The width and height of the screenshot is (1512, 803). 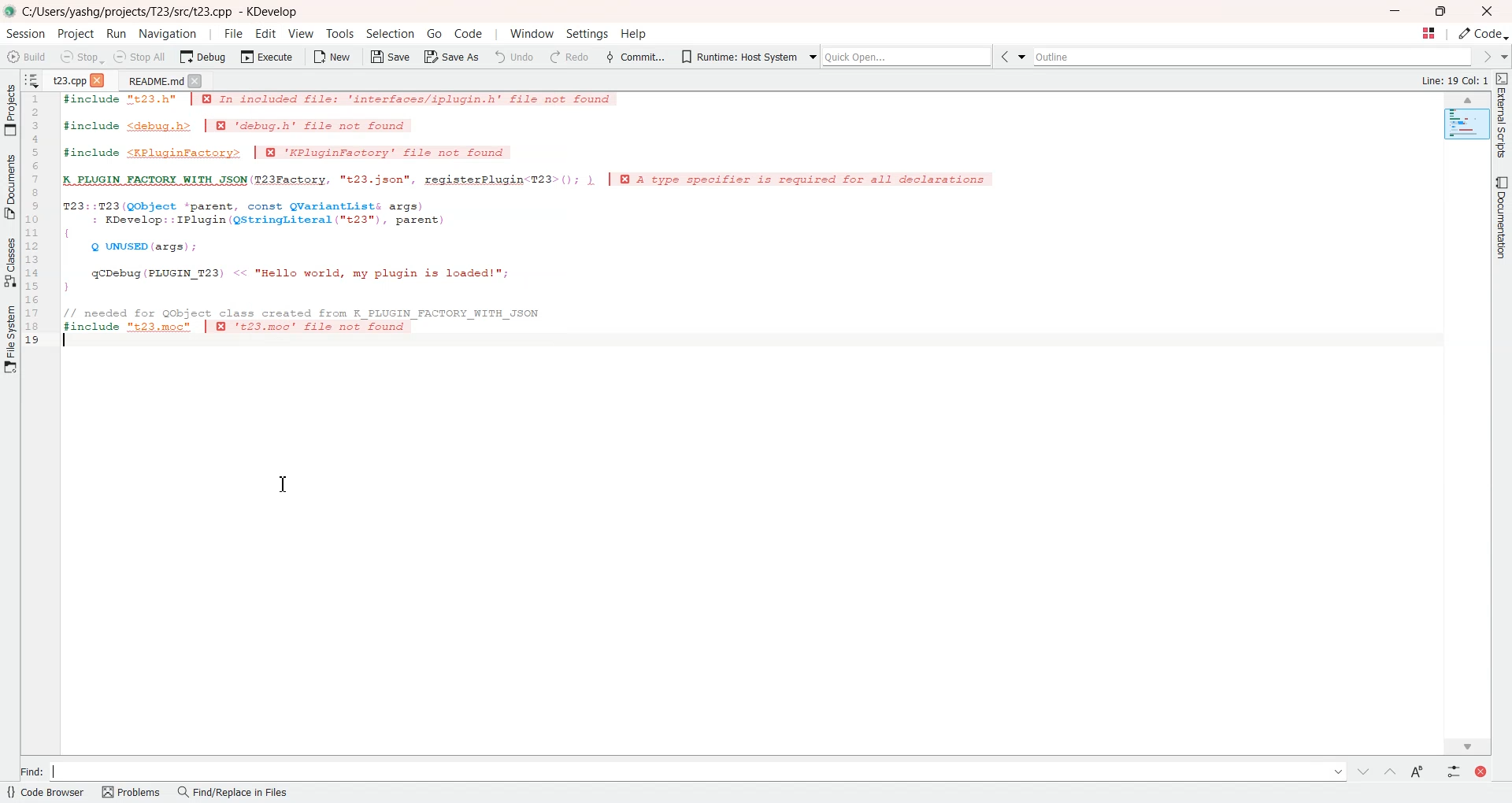 I want to click on Project, so click(x=10, y=109).